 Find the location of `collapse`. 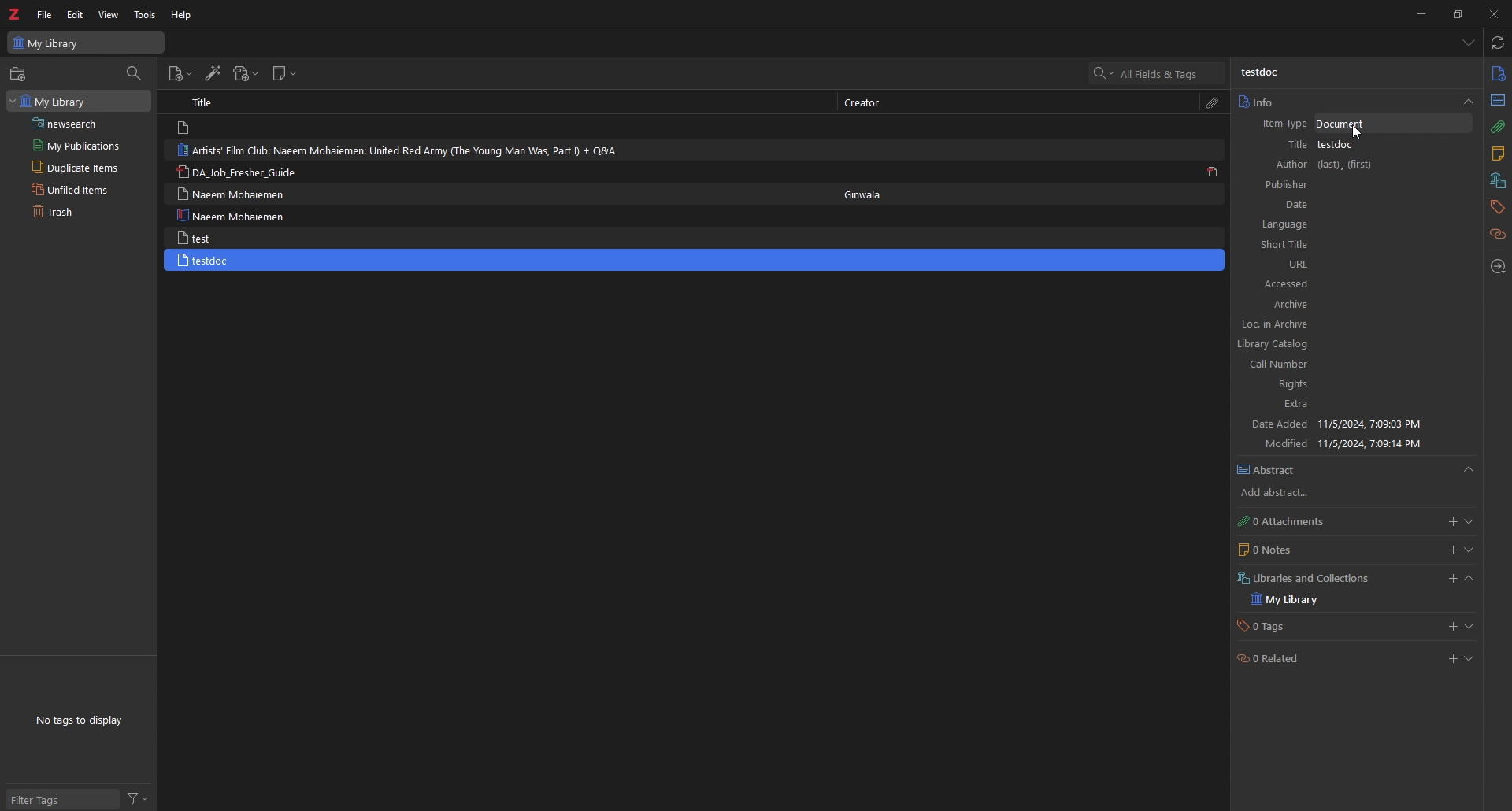

collapse is located at coordinates (1469, 579).